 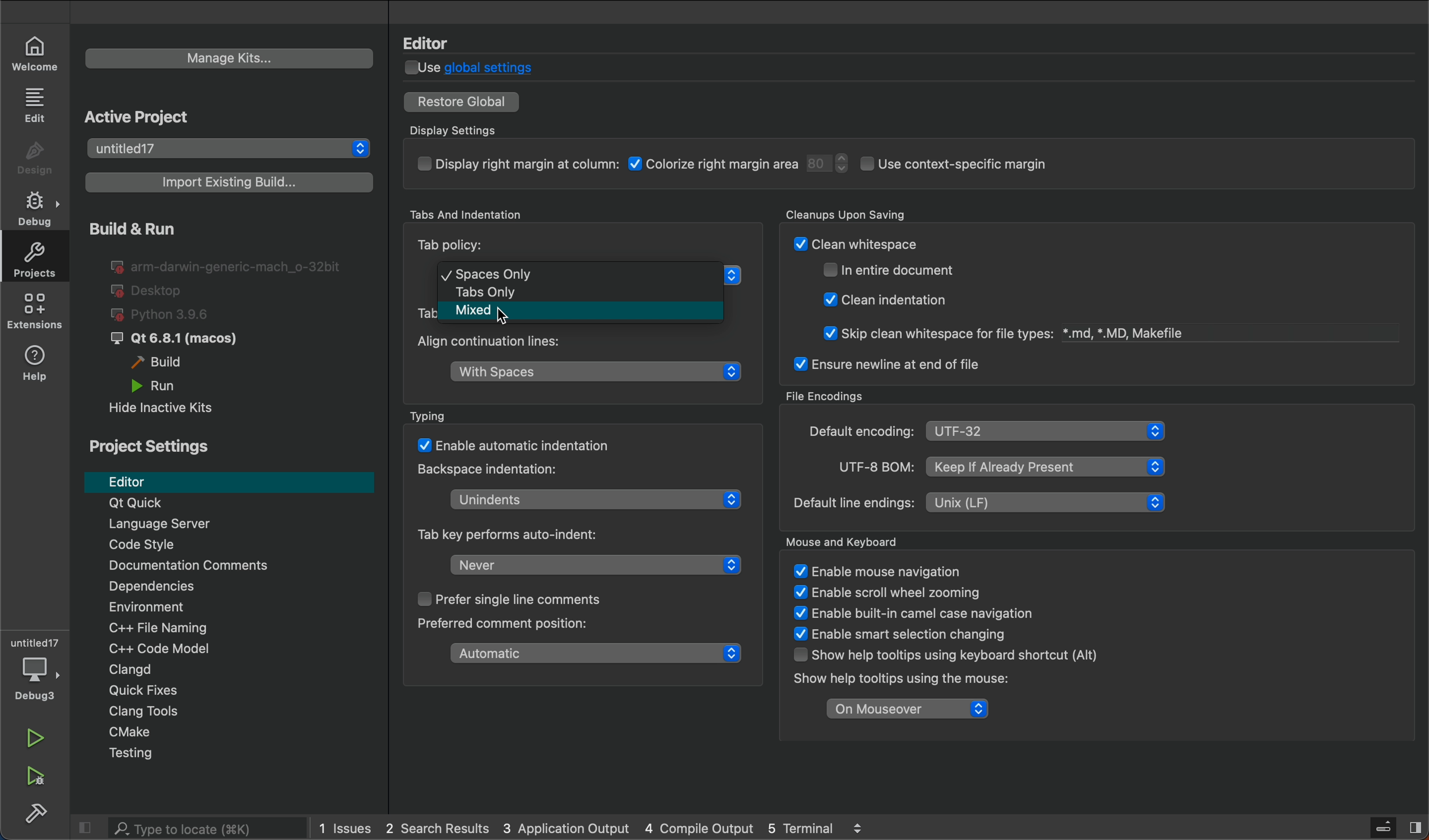 I want to click on desktop, so click(x=150, y=289).